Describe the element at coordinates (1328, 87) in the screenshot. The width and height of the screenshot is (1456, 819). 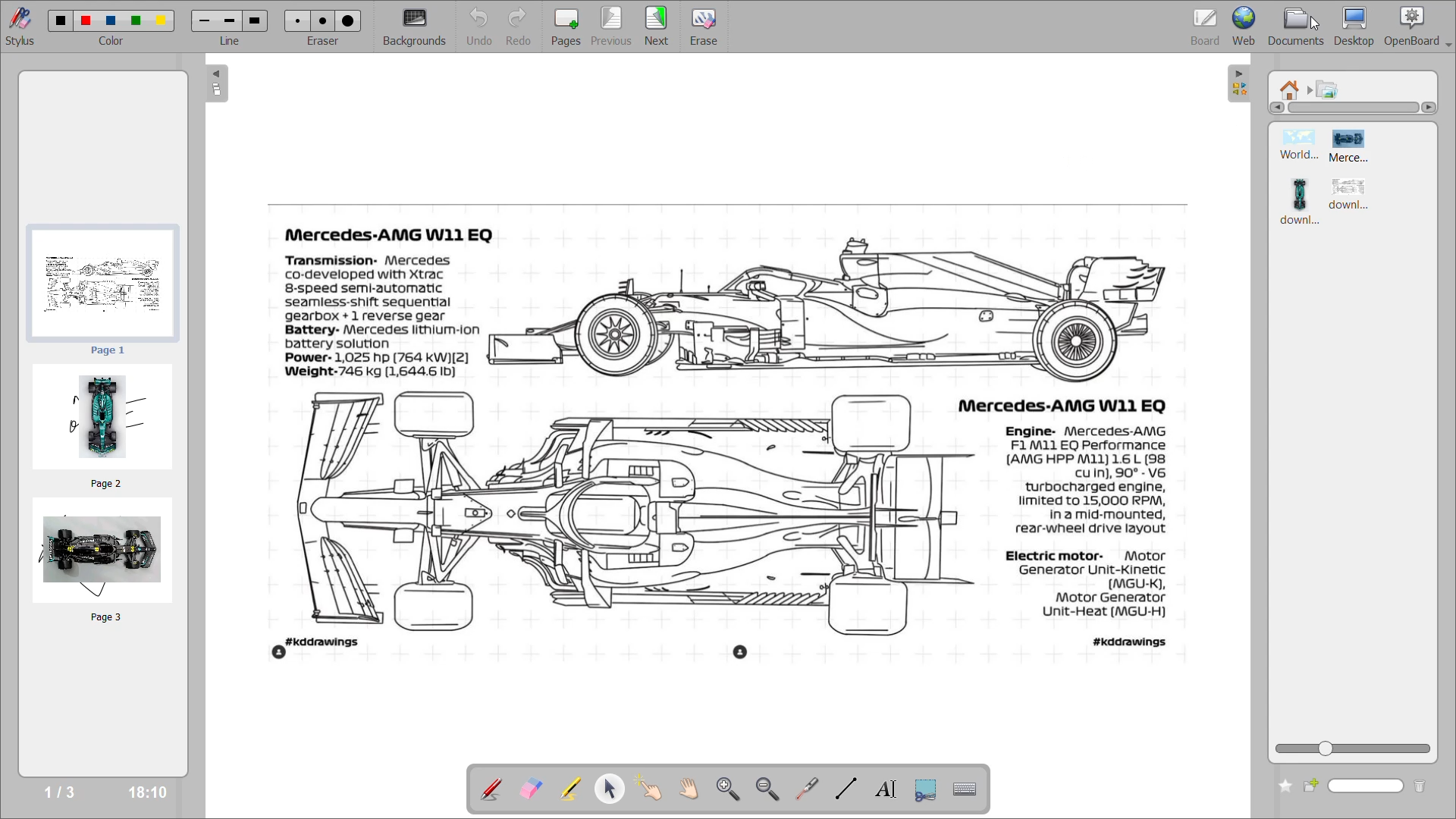
I see `pictures` at that location.